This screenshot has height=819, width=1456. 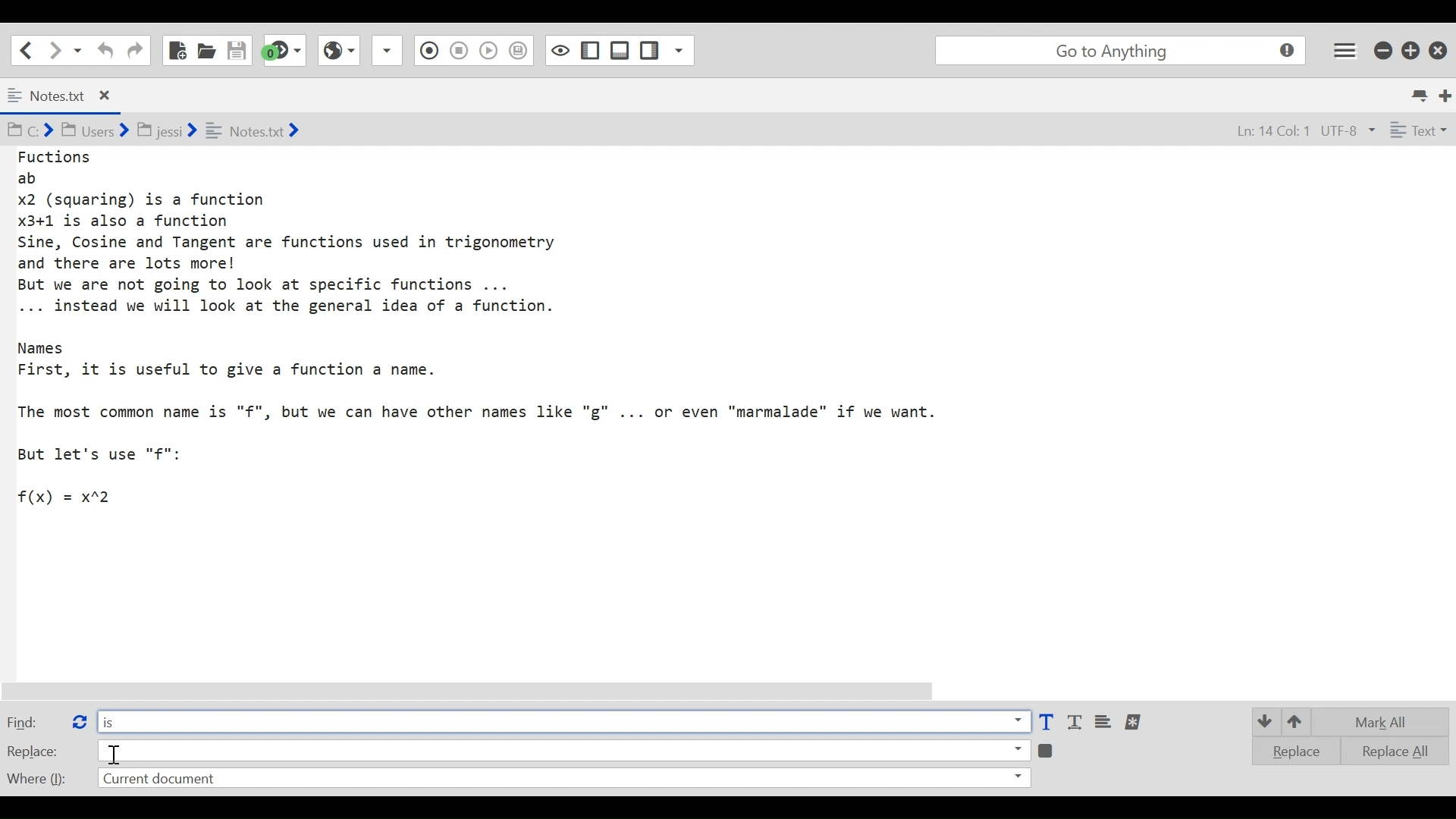 I want to click on Go forward one location, so click(x=56, y=49).